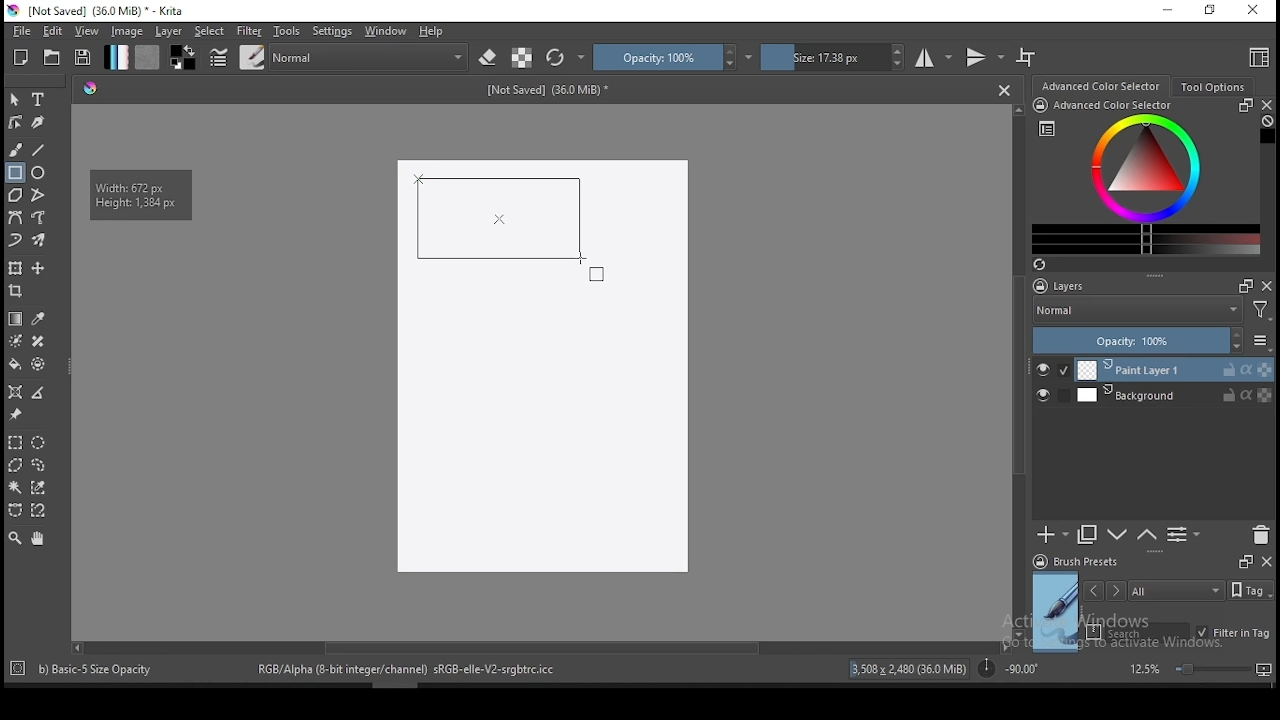  Describe the element at coordinates (19, 669) in the screenshot. I see `Target` at that location.